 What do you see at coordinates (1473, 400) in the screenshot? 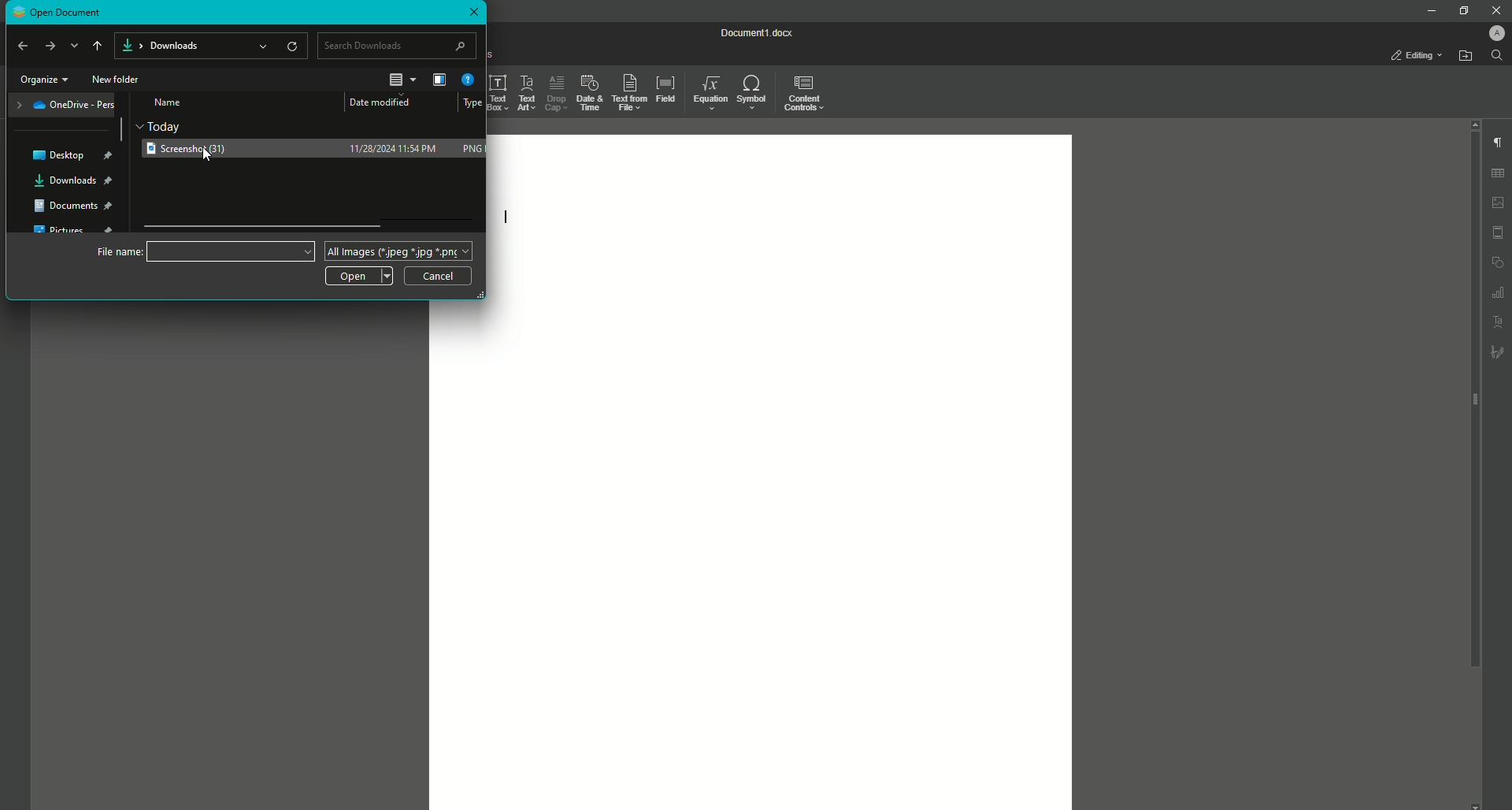
I see `Scroll bar` at bounding box center [1473, 400].